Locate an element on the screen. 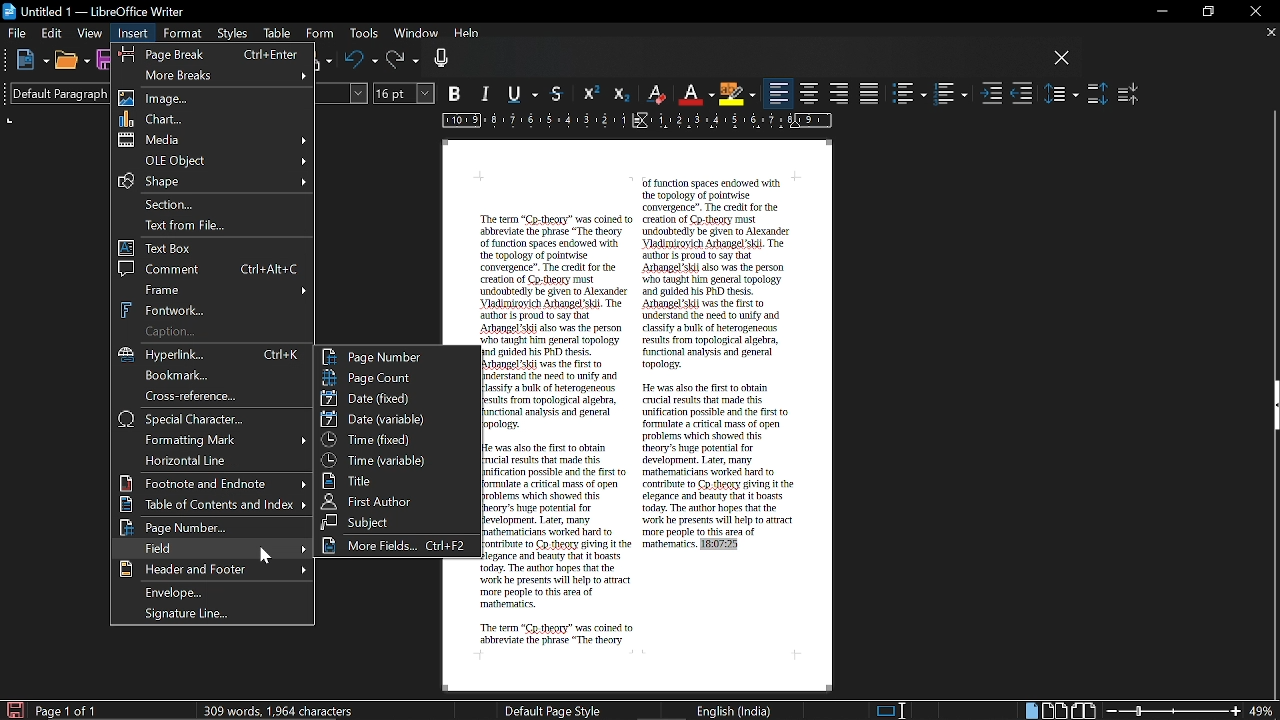  strikethrough is located at coordinates (559, 93).